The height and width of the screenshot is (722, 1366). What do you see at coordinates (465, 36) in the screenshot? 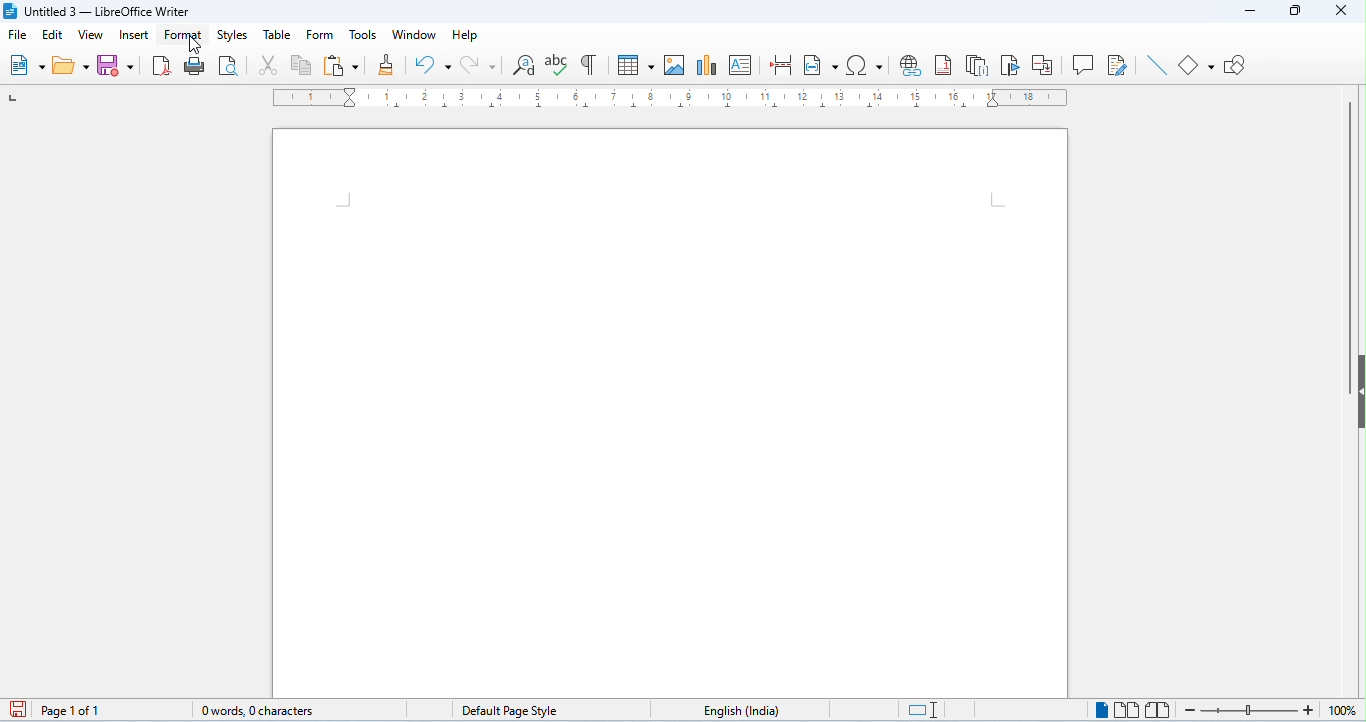
I see `help` at bounding box center [465, 36].